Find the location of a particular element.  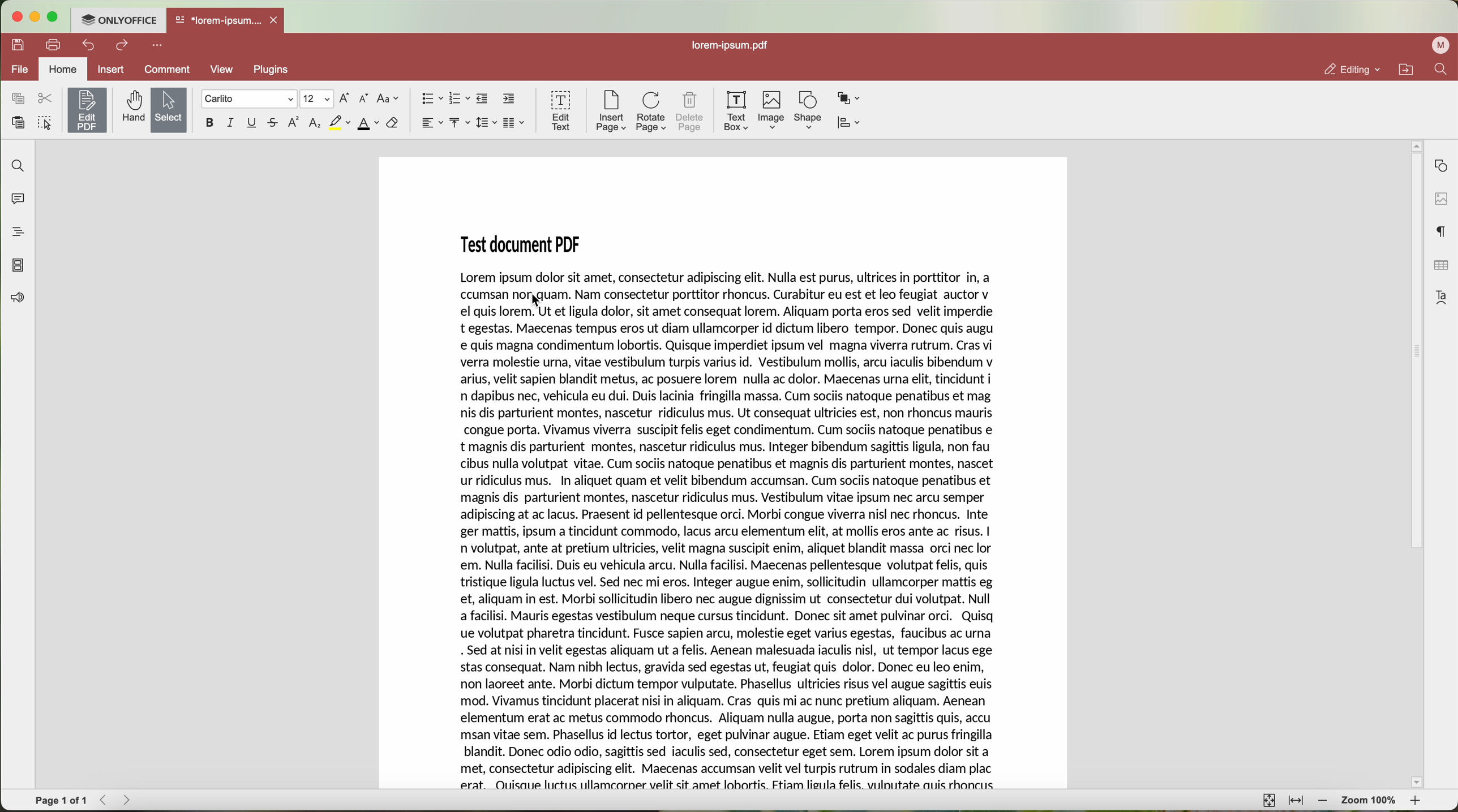

insert is located at coordinates (111, 70).